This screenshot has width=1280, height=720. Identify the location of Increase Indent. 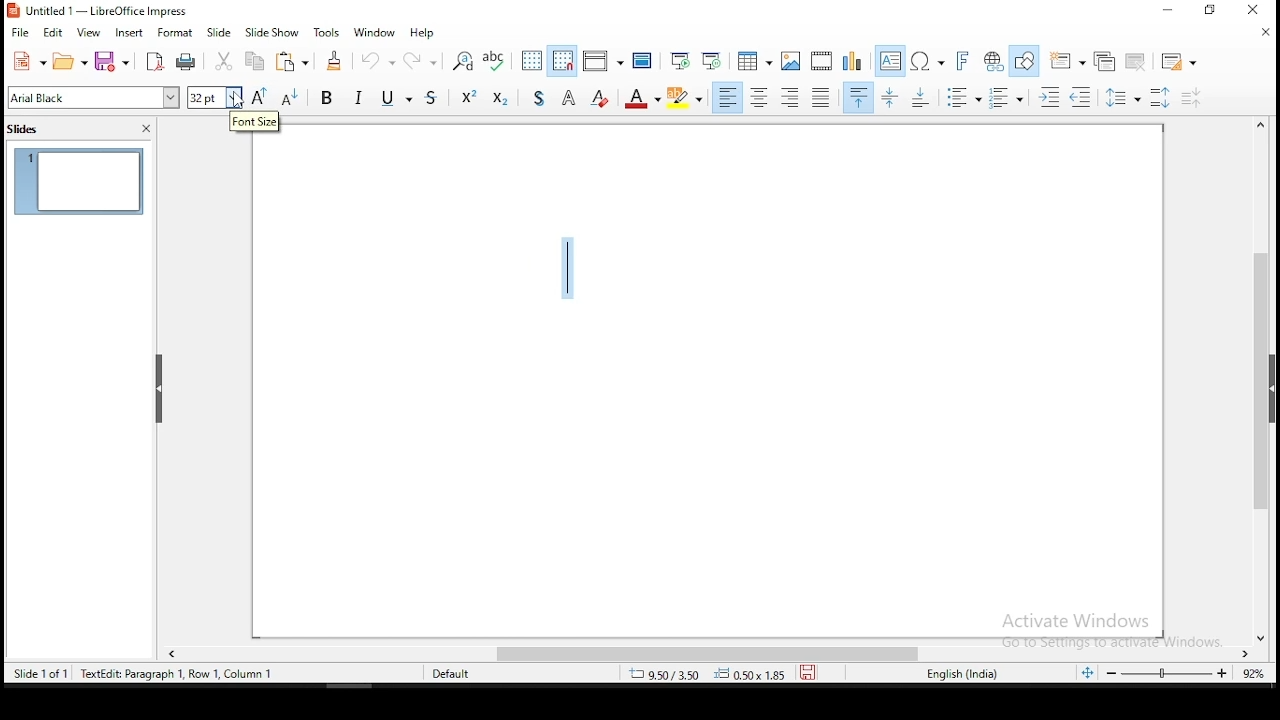
(1049, 98).